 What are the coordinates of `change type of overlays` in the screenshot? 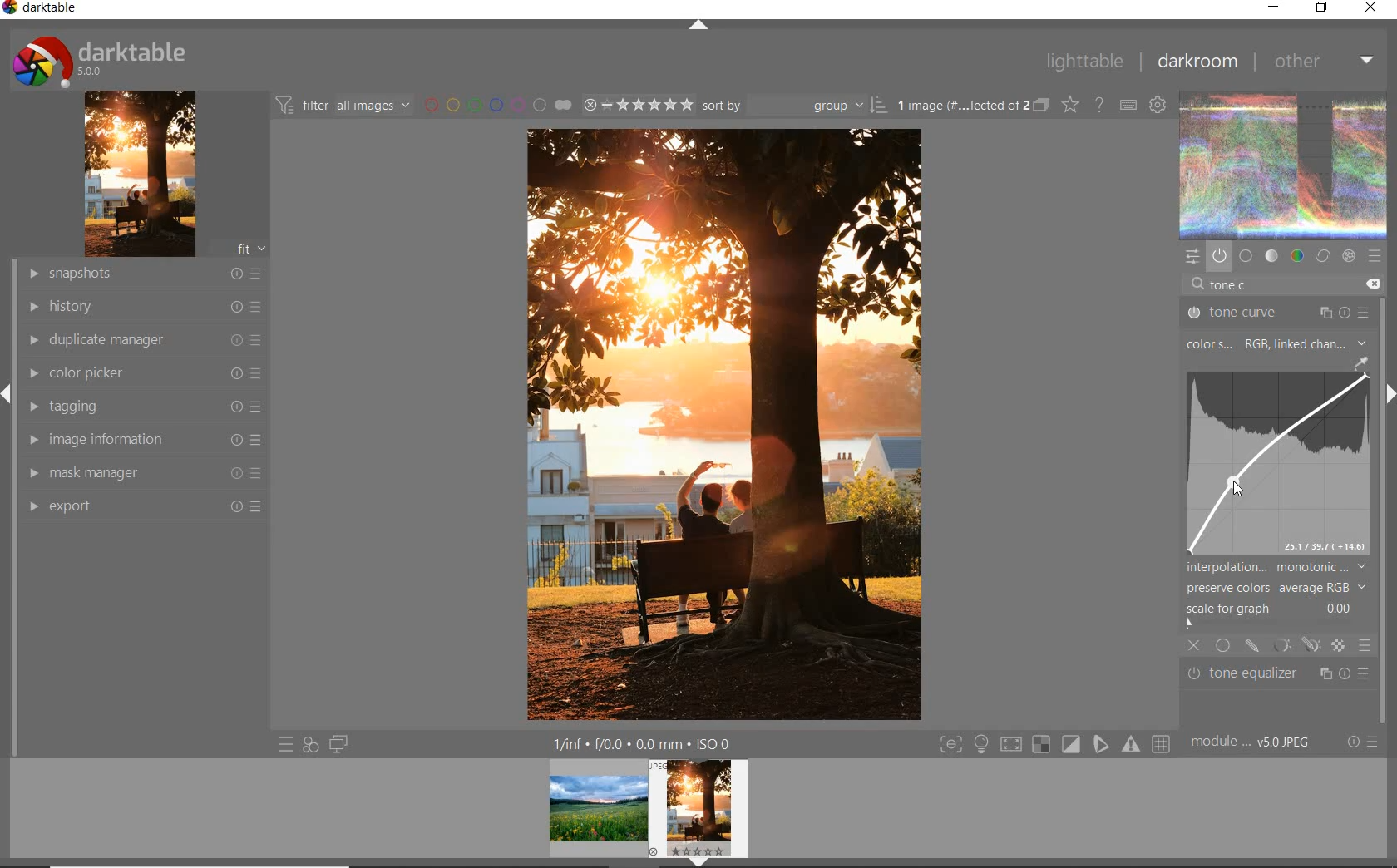 It's located at (1071, 104).